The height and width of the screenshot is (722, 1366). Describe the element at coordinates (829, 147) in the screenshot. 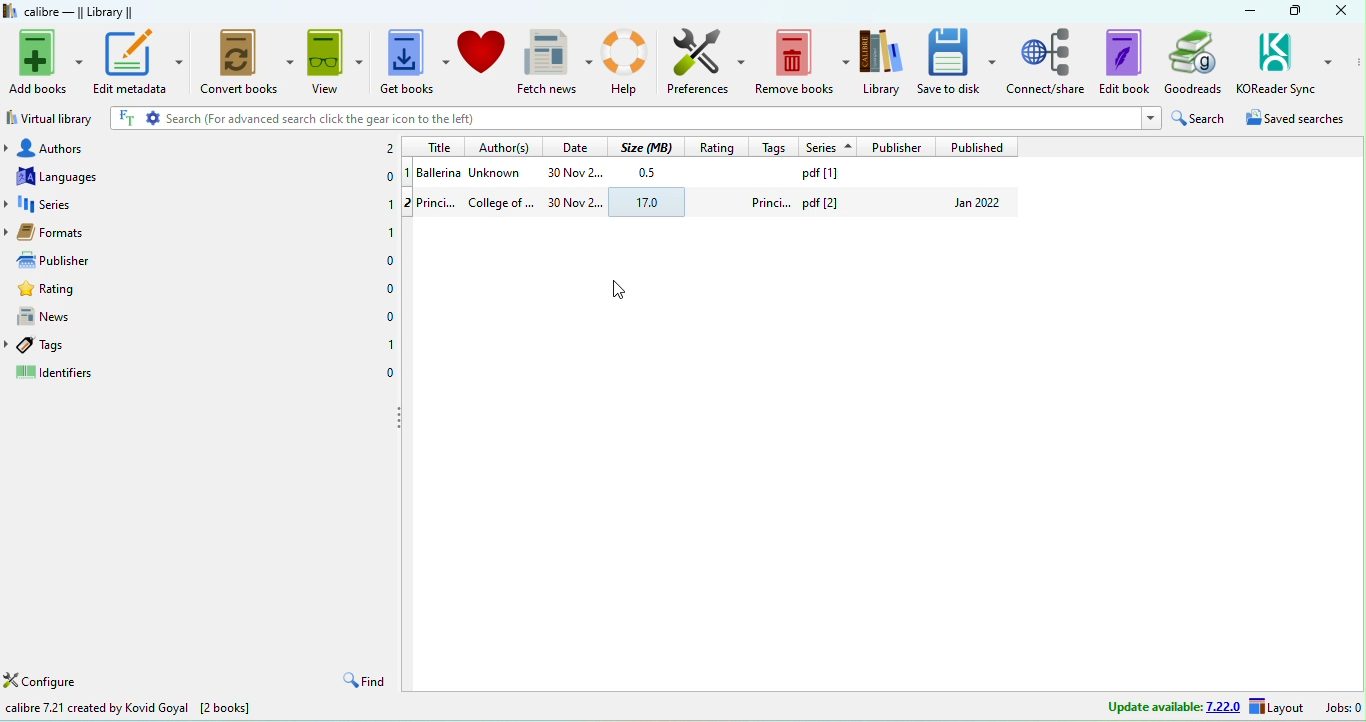

I see `series` at that location.